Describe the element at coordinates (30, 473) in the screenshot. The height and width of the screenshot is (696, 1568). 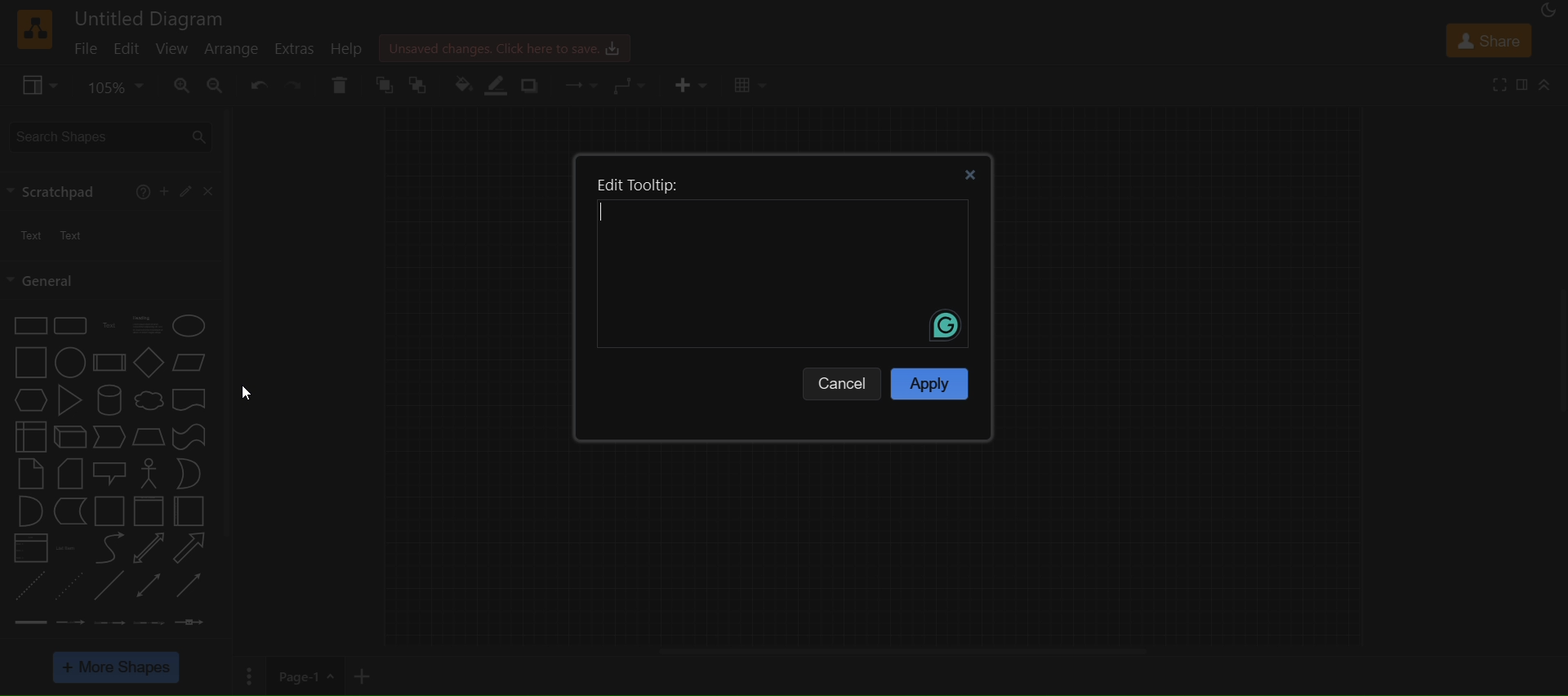
I see `notes` at that location.